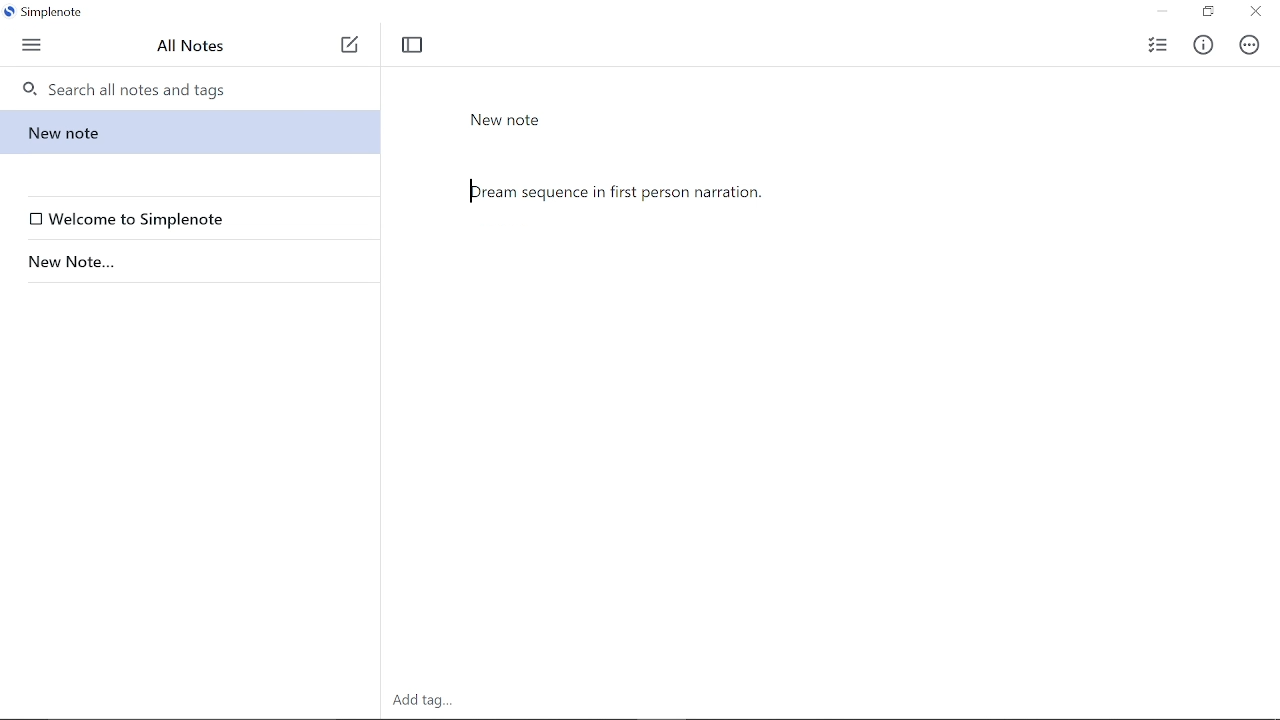  Describe the element at coordinates (197, 88) in the screenshot. I see `Search all notes and tags` at that location.